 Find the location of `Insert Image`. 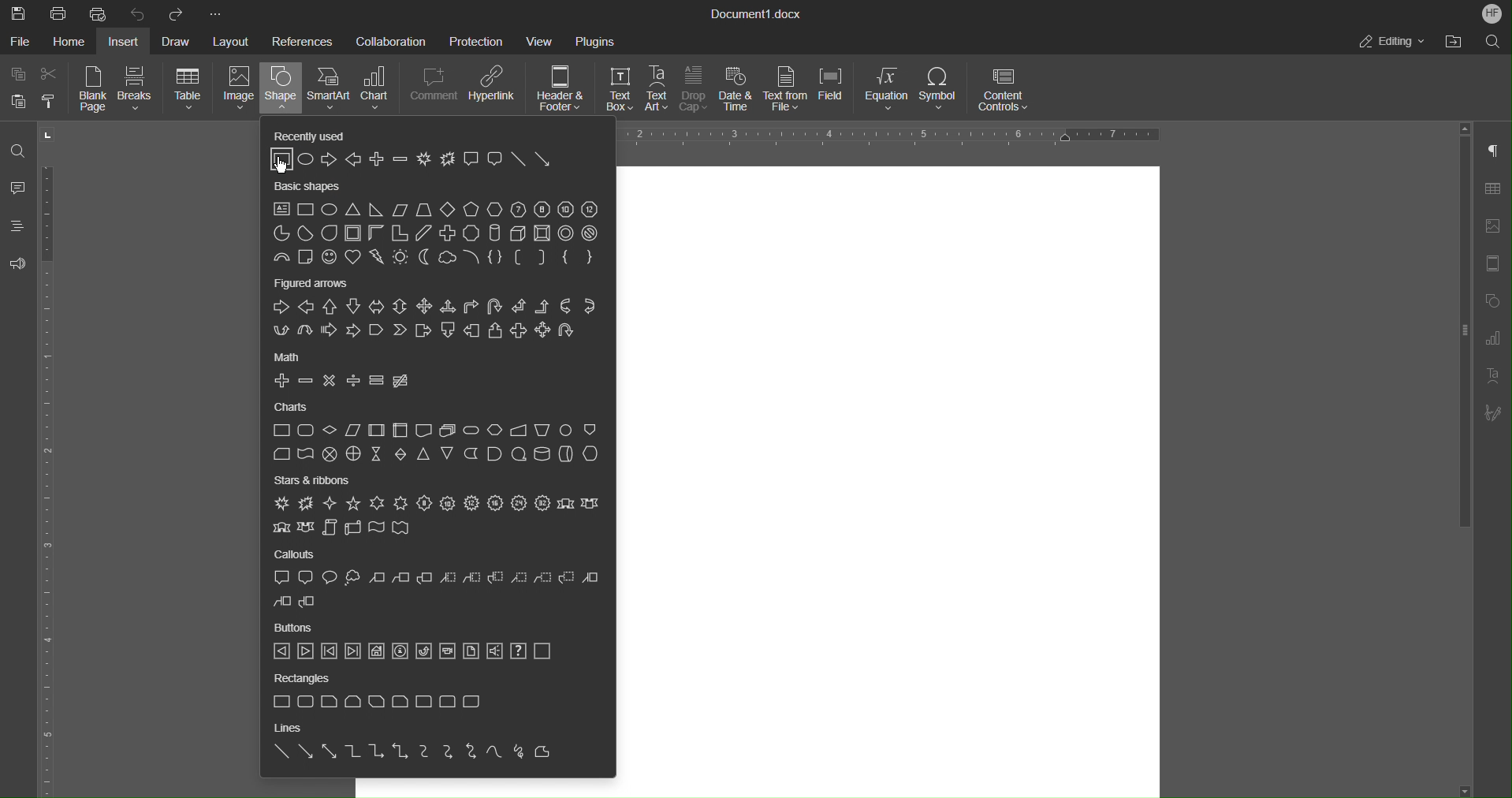

Insert Image is located at coordinates (1497, 226).